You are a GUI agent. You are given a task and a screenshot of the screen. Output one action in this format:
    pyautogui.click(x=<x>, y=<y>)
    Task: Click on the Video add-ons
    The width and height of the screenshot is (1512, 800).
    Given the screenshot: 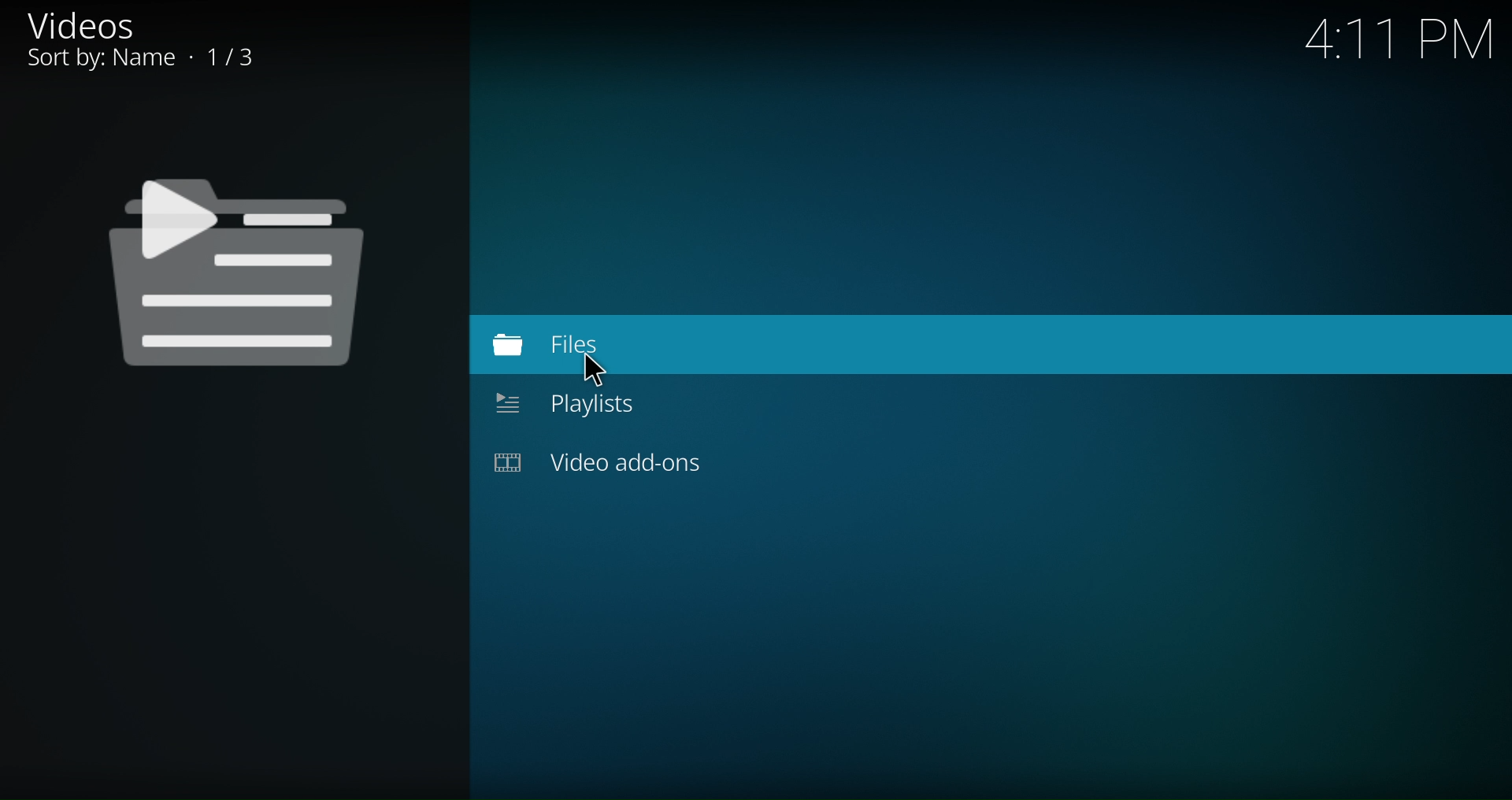 What is the action you would take?
    pyautogui.click(x=617, y=461)
    